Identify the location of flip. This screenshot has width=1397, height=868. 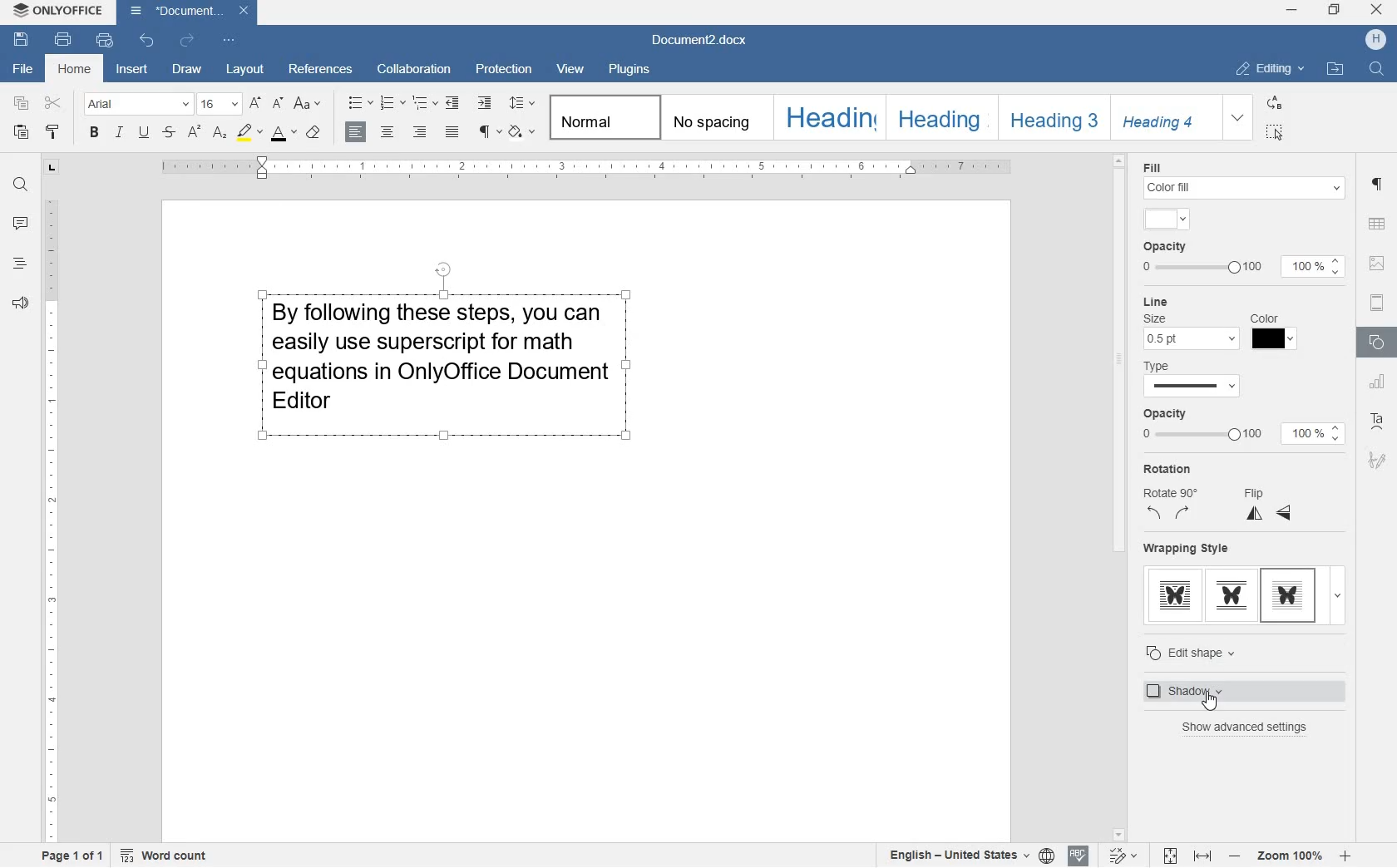
(1267, 507).